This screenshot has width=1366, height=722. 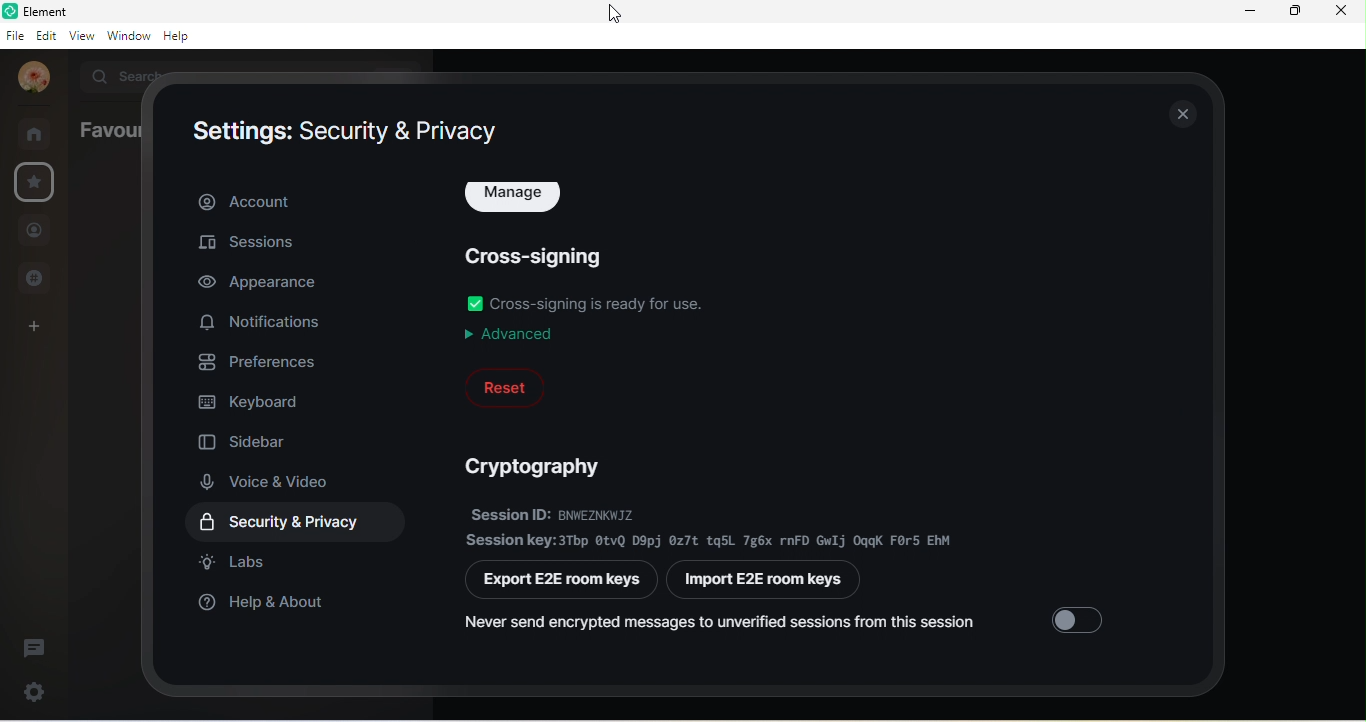 I want to click on appearance, so click(x=259, y=283).